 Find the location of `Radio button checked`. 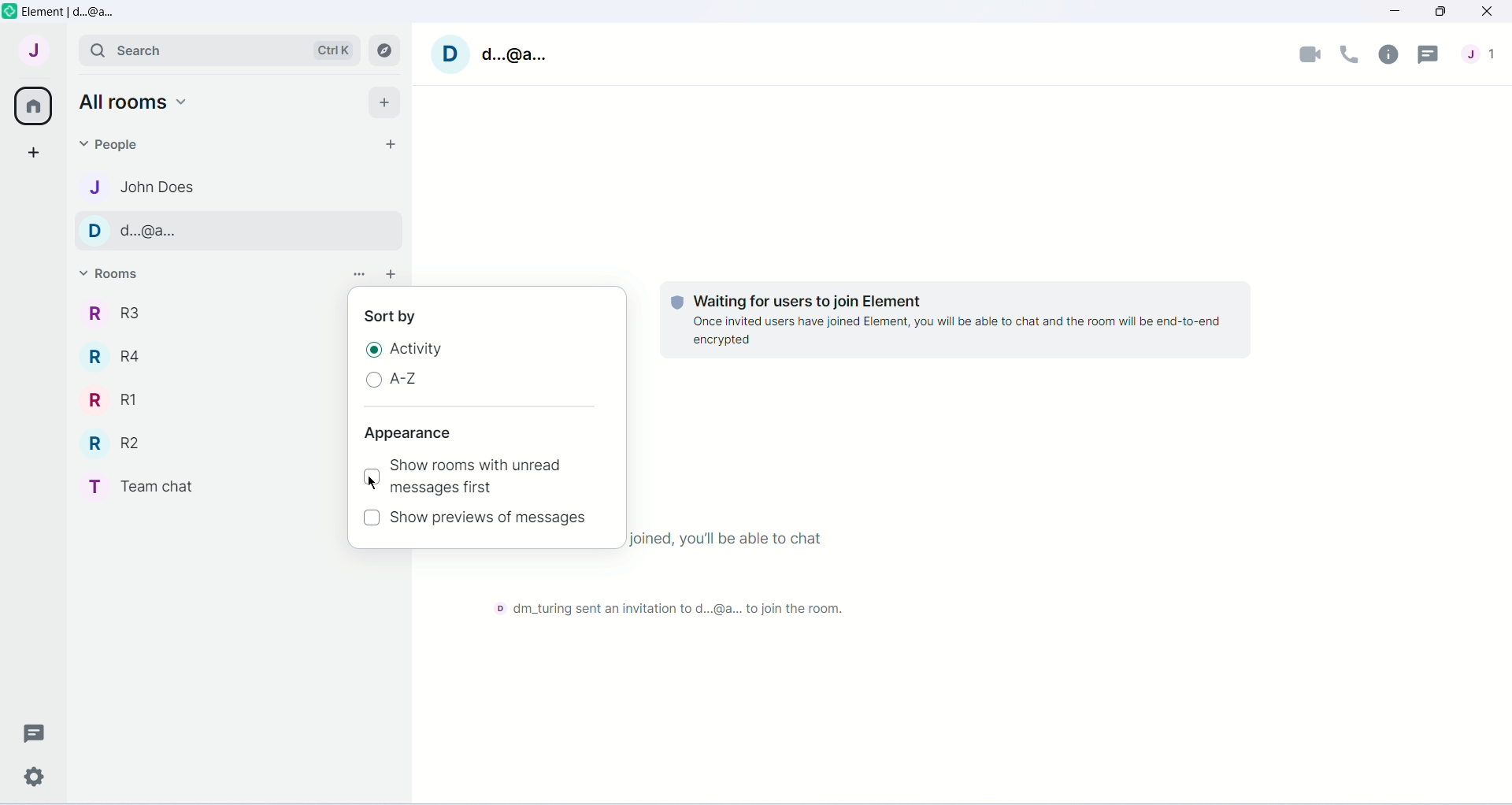

Radio button checked is located at coordinates (372, 351).